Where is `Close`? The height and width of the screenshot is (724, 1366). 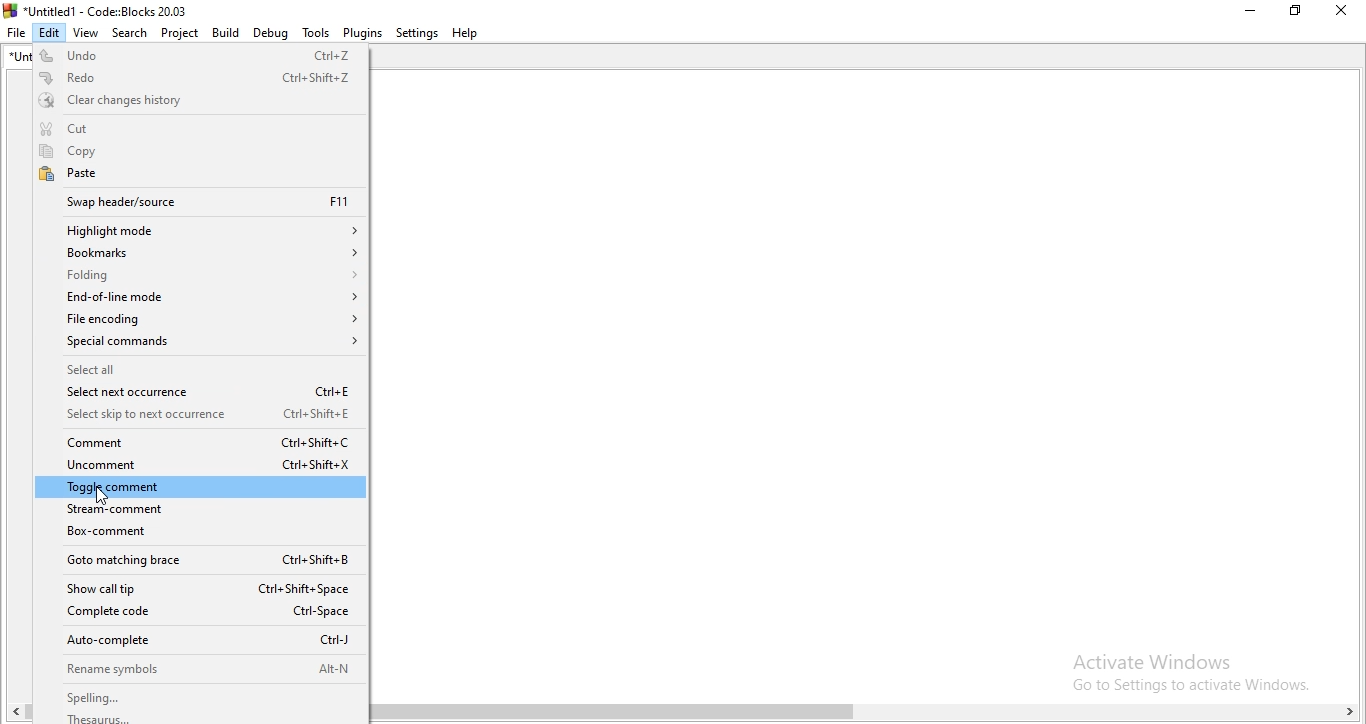 Close is located at coordinates (1340, 14).